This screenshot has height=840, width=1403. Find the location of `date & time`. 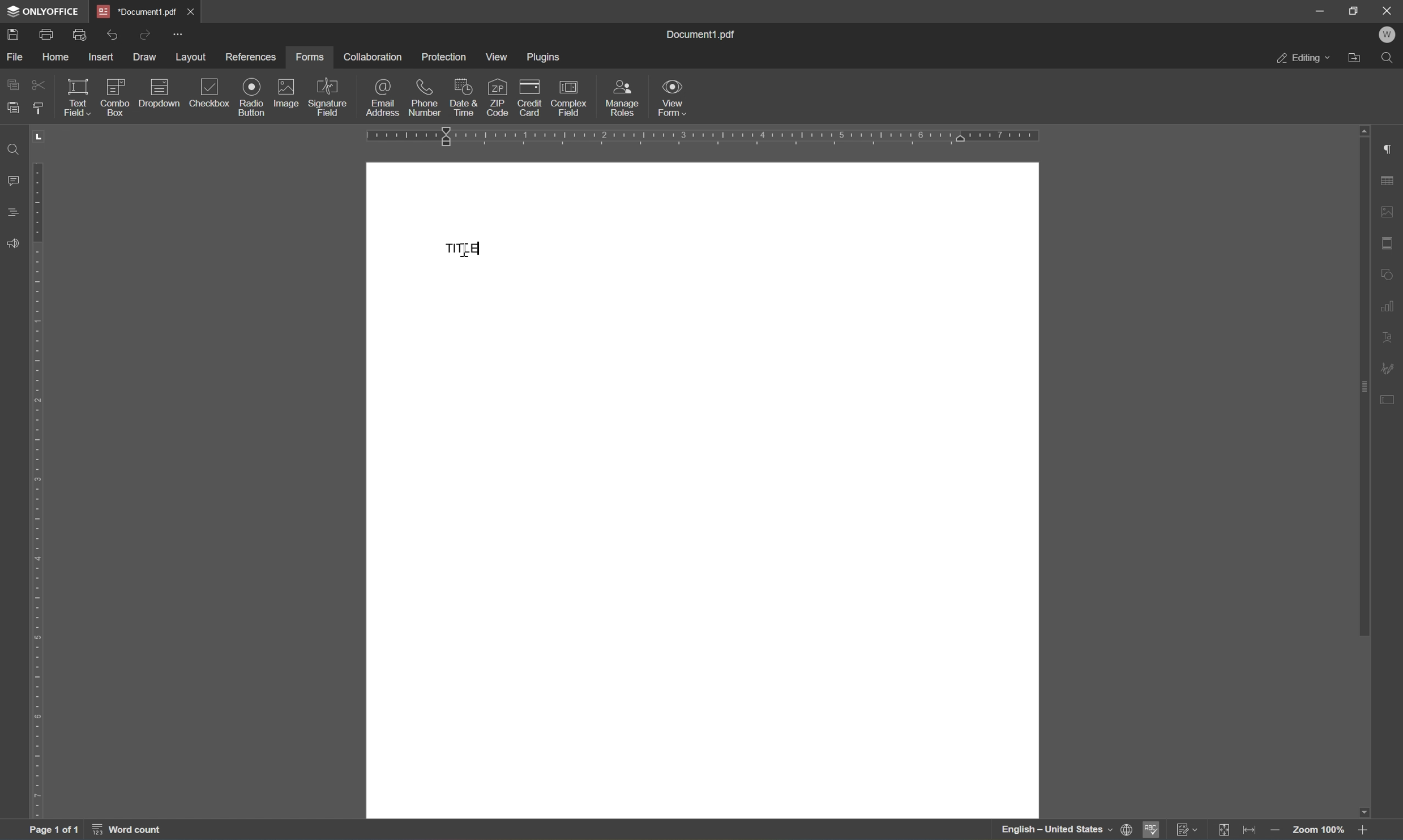

date & time is located at coordinates (464, 96).